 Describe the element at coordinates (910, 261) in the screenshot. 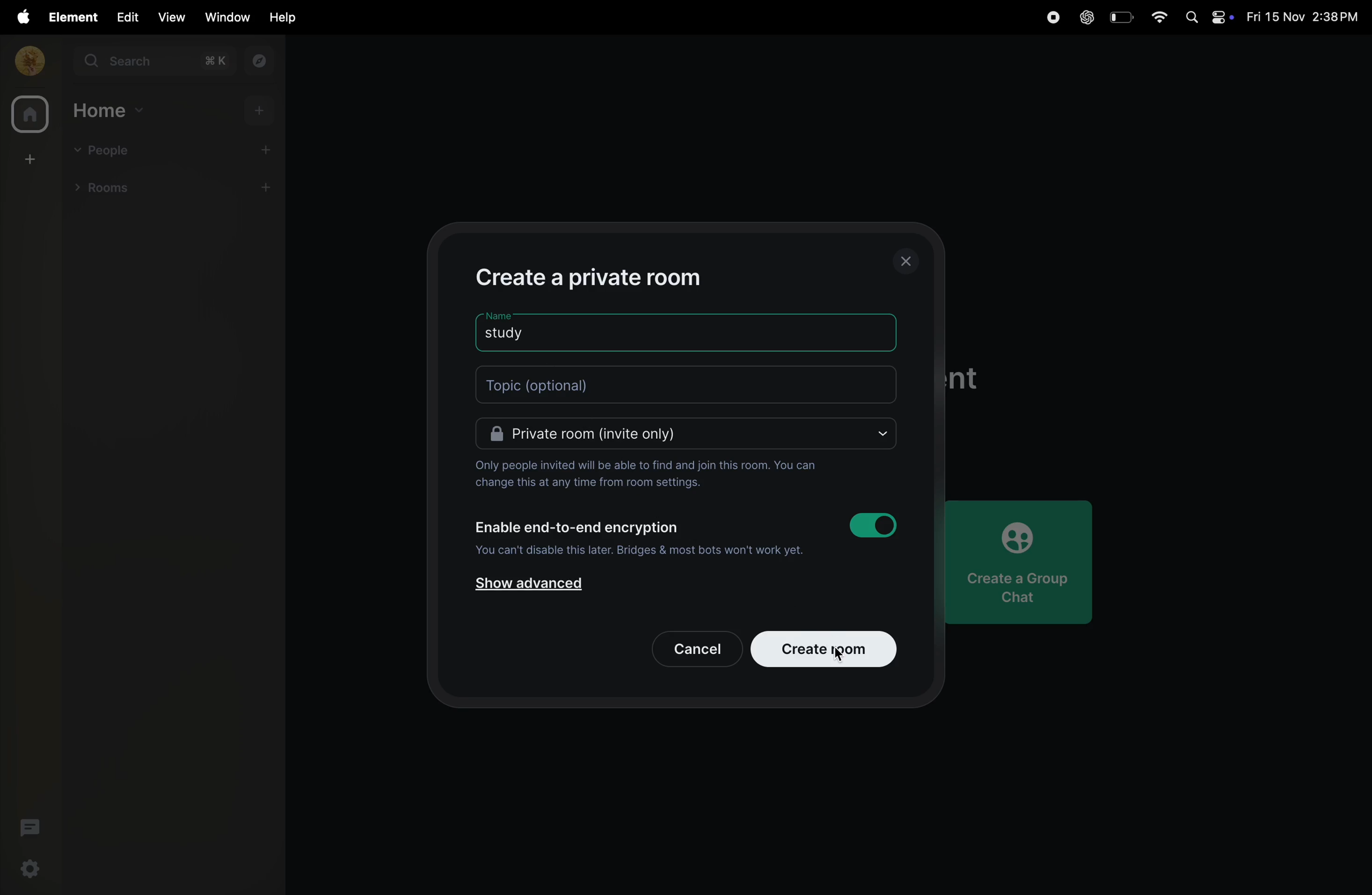

I see `close` at that location.